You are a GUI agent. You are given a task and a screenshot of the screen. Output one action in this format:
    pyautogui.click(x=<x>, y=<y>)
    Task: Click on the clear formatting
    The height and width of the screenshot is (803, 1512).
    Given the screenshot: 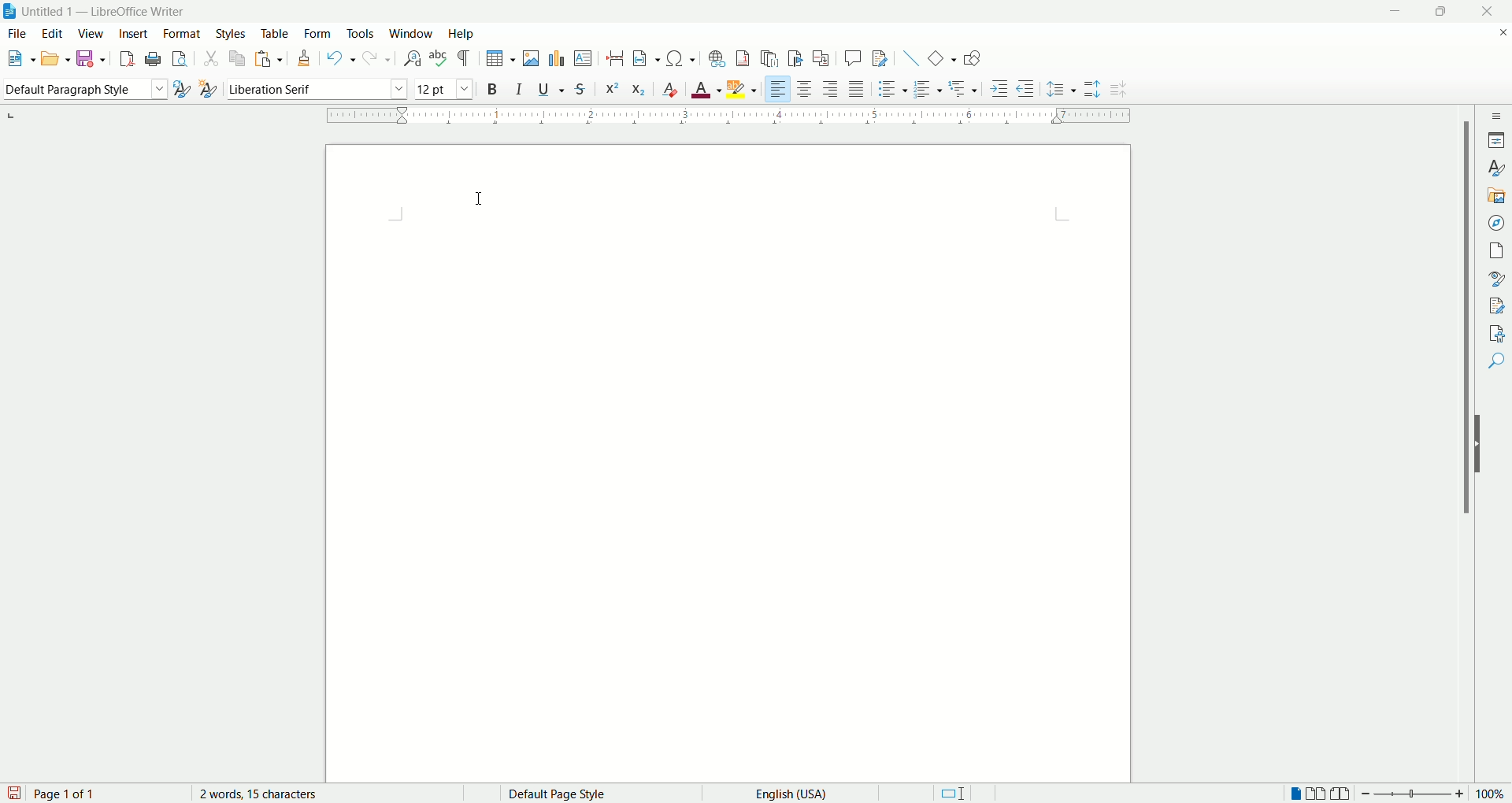 What is the action you would take?
    pyautogui.click(x=671, y=89)
    